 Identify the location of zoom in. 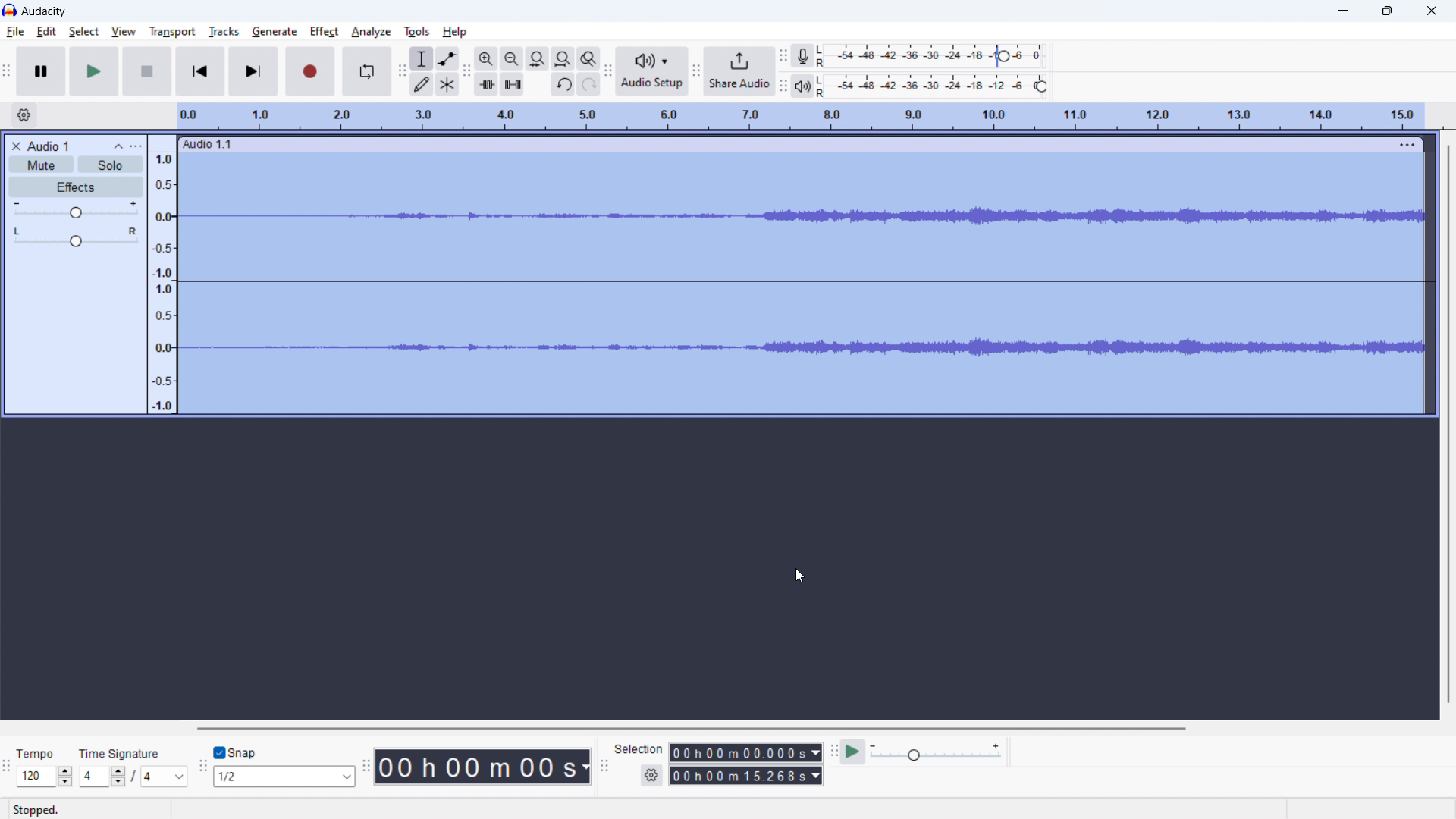
(485, 59).